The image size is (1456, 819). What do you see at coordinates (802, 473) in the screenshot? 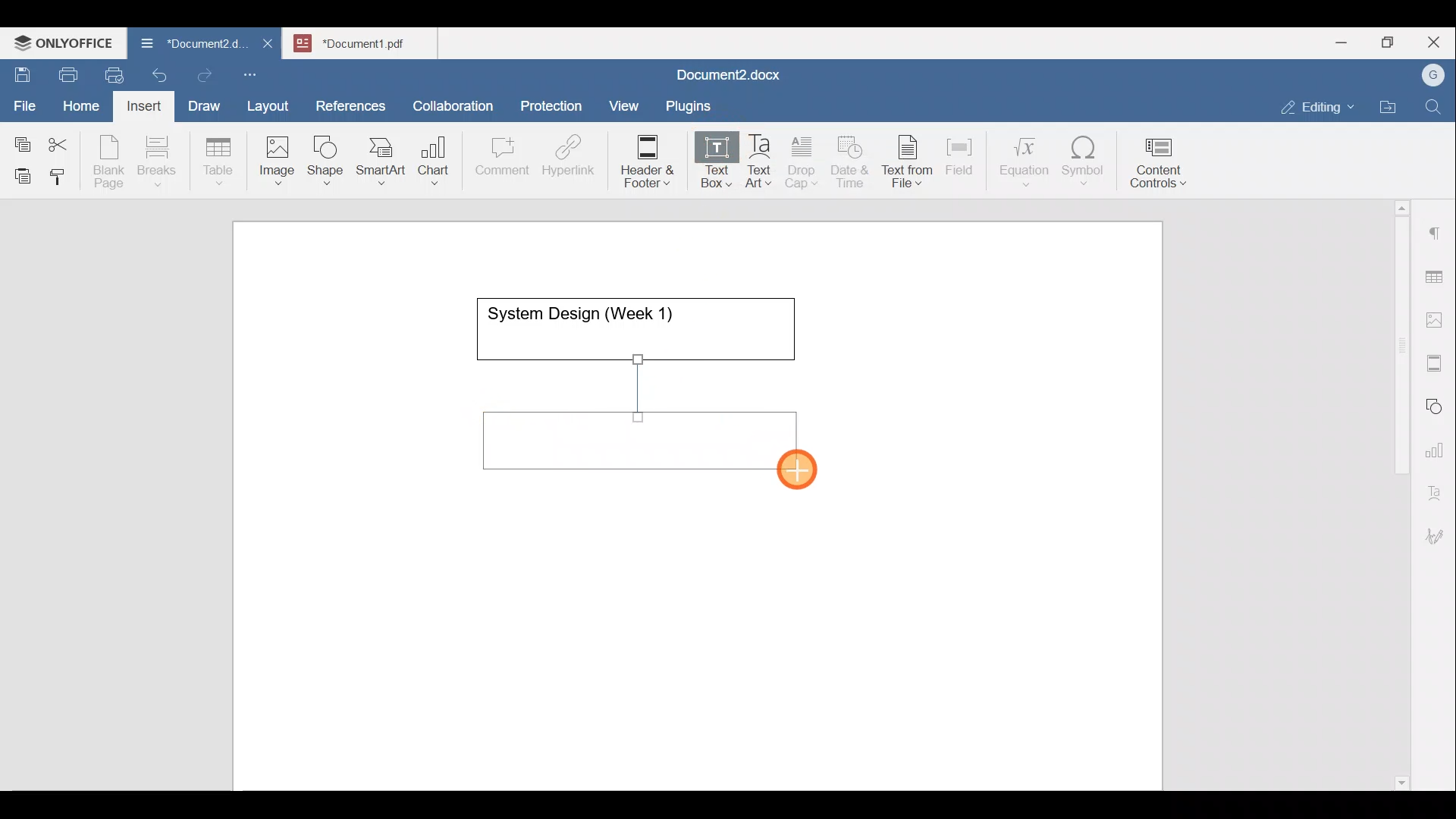
I see `Cursor` at bounding box center [802, 473].